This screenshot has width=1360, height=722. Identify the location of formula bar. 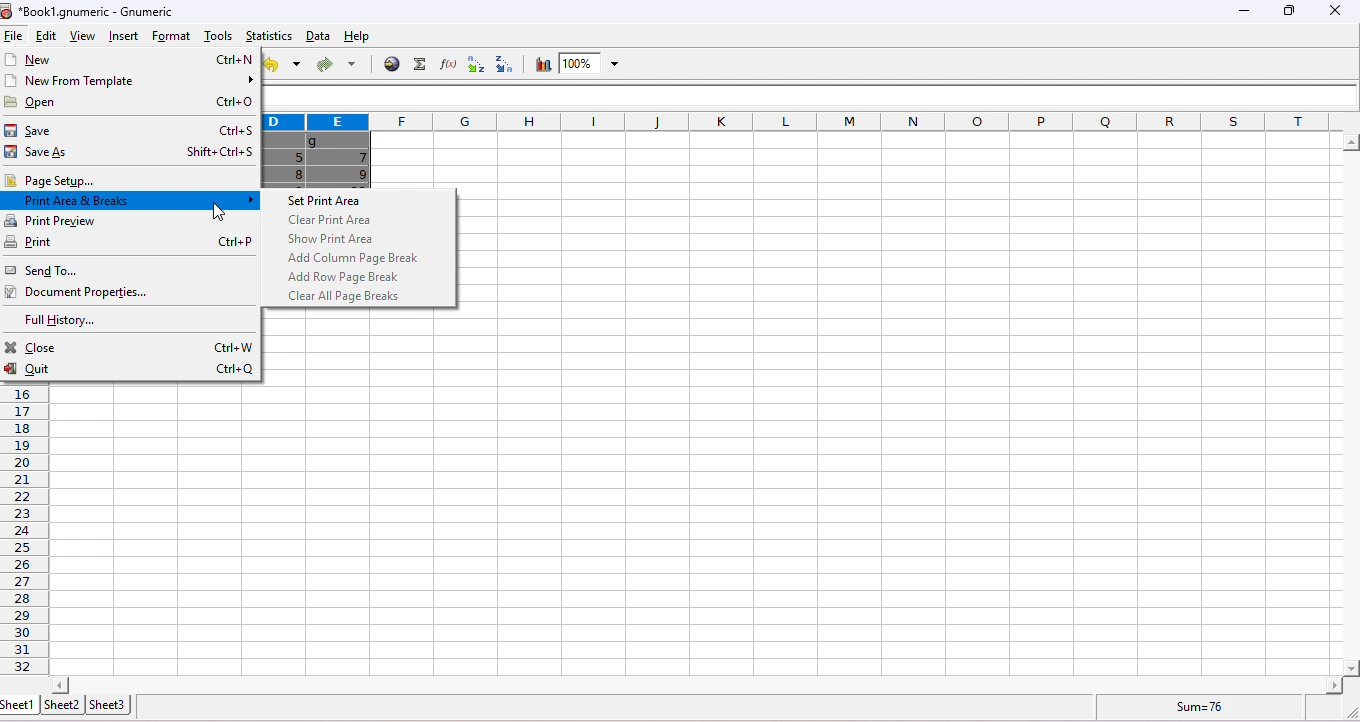
(813, 96).